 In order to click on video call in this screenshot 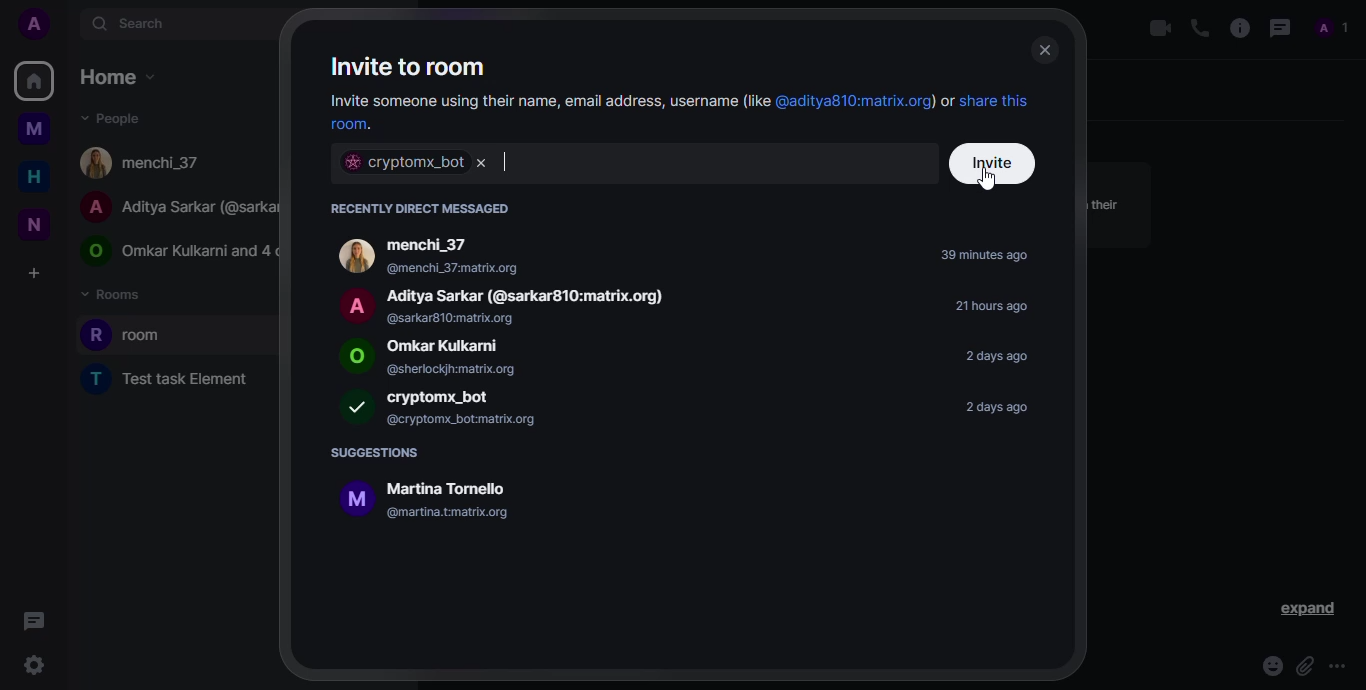, I will do `click(1157, 28)`.